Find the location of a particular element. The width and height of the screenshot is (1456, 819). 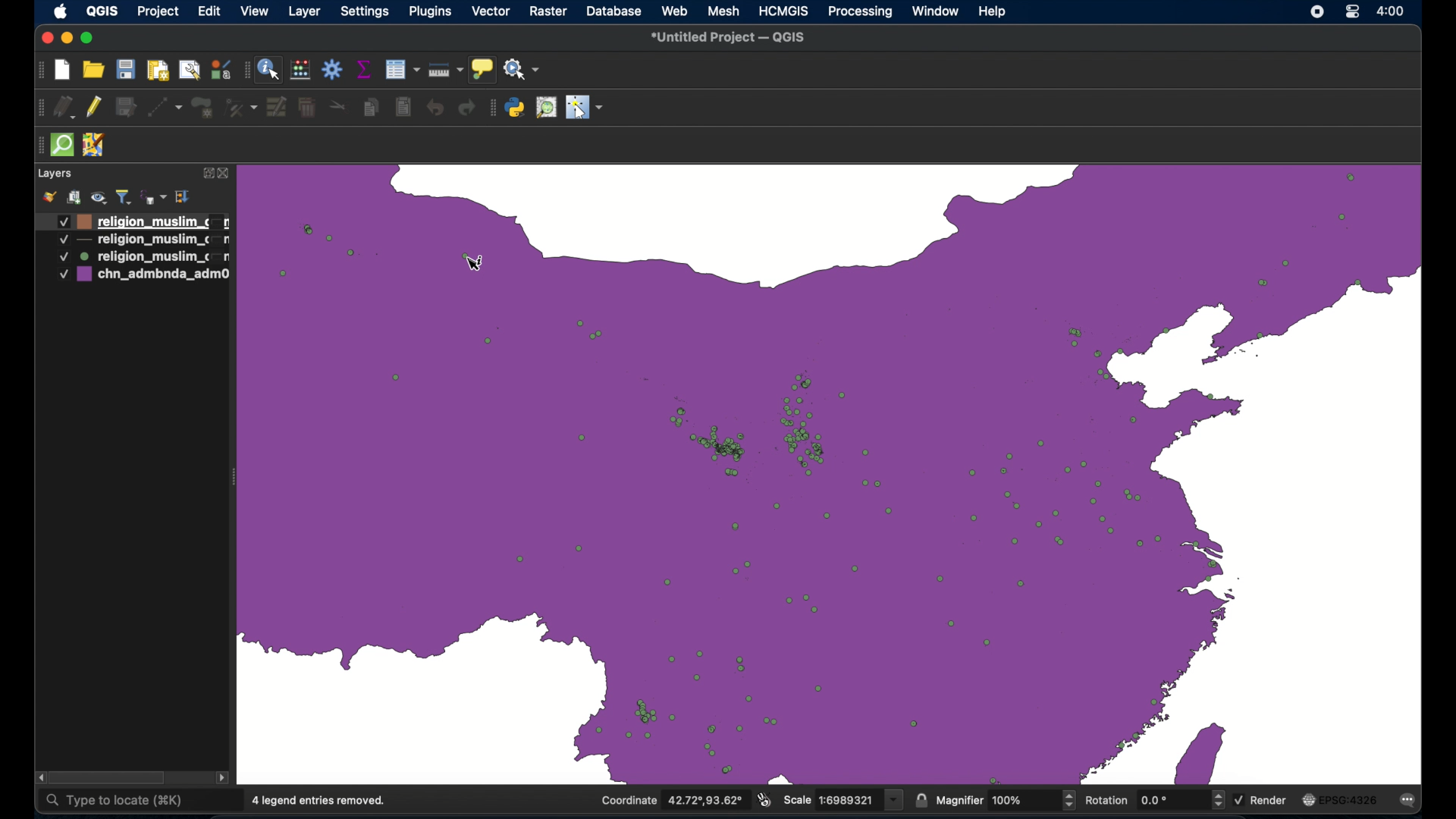

show statistical summary is located at coordinates (365, 69).